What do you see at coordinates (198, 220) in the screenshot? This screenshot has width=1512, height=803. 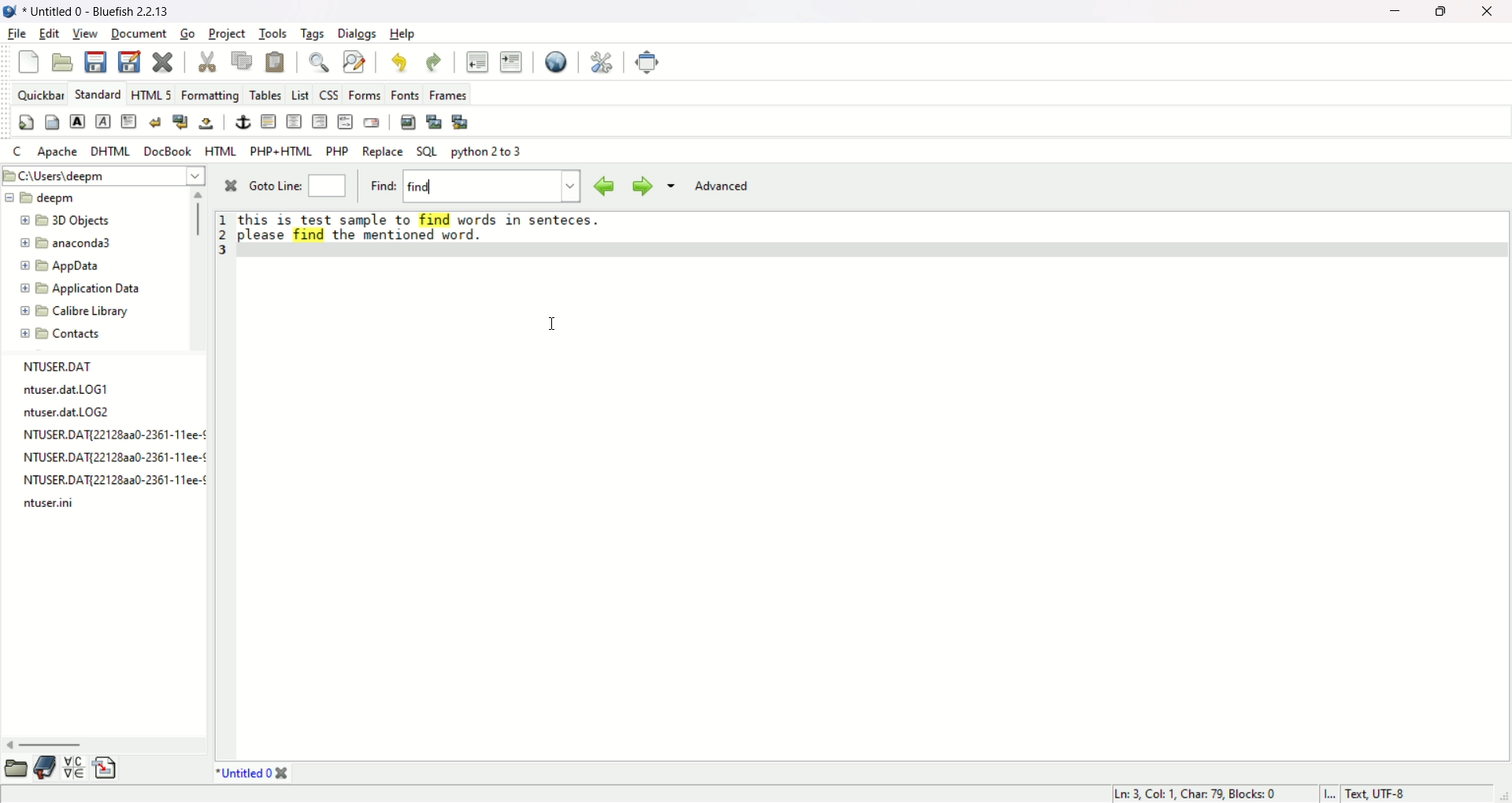 I see `vertical scrollbar` at bounding box center [198, 220].